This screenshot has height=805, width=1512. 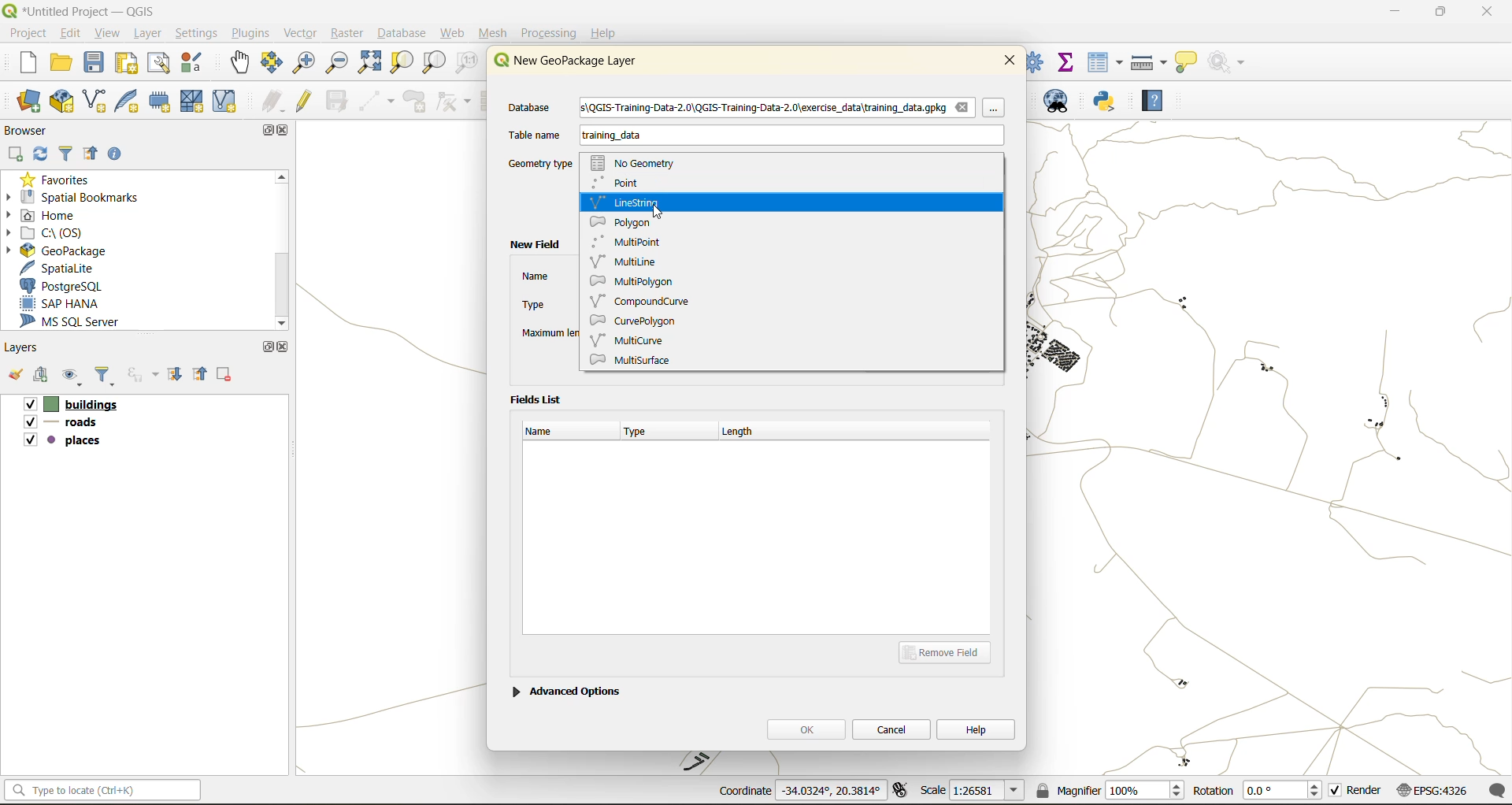 What do you see at coordinates (145, 374) in the screenshot?
I see `filter by expression` at bounding box center [145, 374].